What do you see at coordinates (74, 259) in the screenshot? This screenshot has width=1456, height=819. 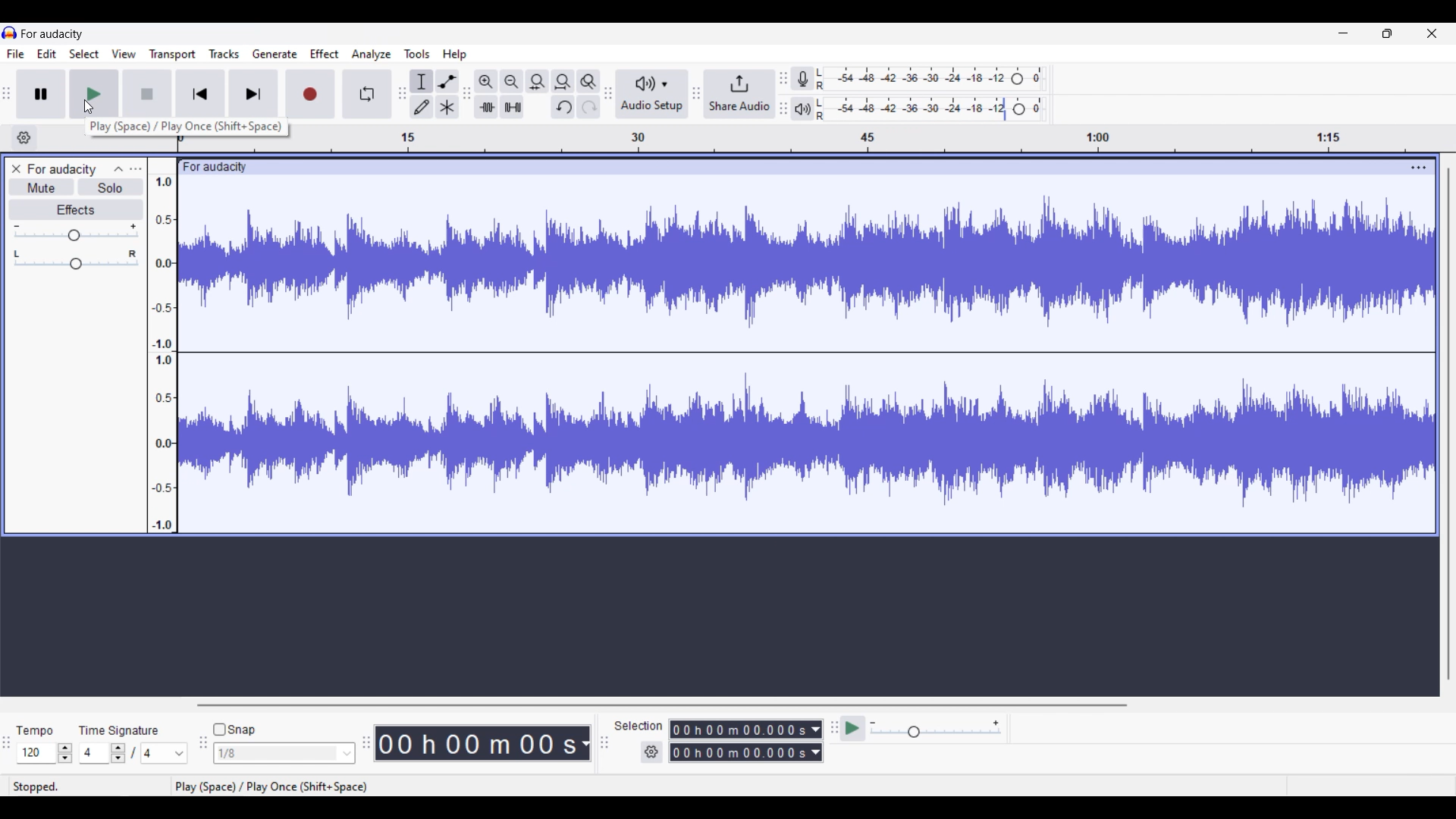 I see `Pan slider` at bounding box center [74, 259].